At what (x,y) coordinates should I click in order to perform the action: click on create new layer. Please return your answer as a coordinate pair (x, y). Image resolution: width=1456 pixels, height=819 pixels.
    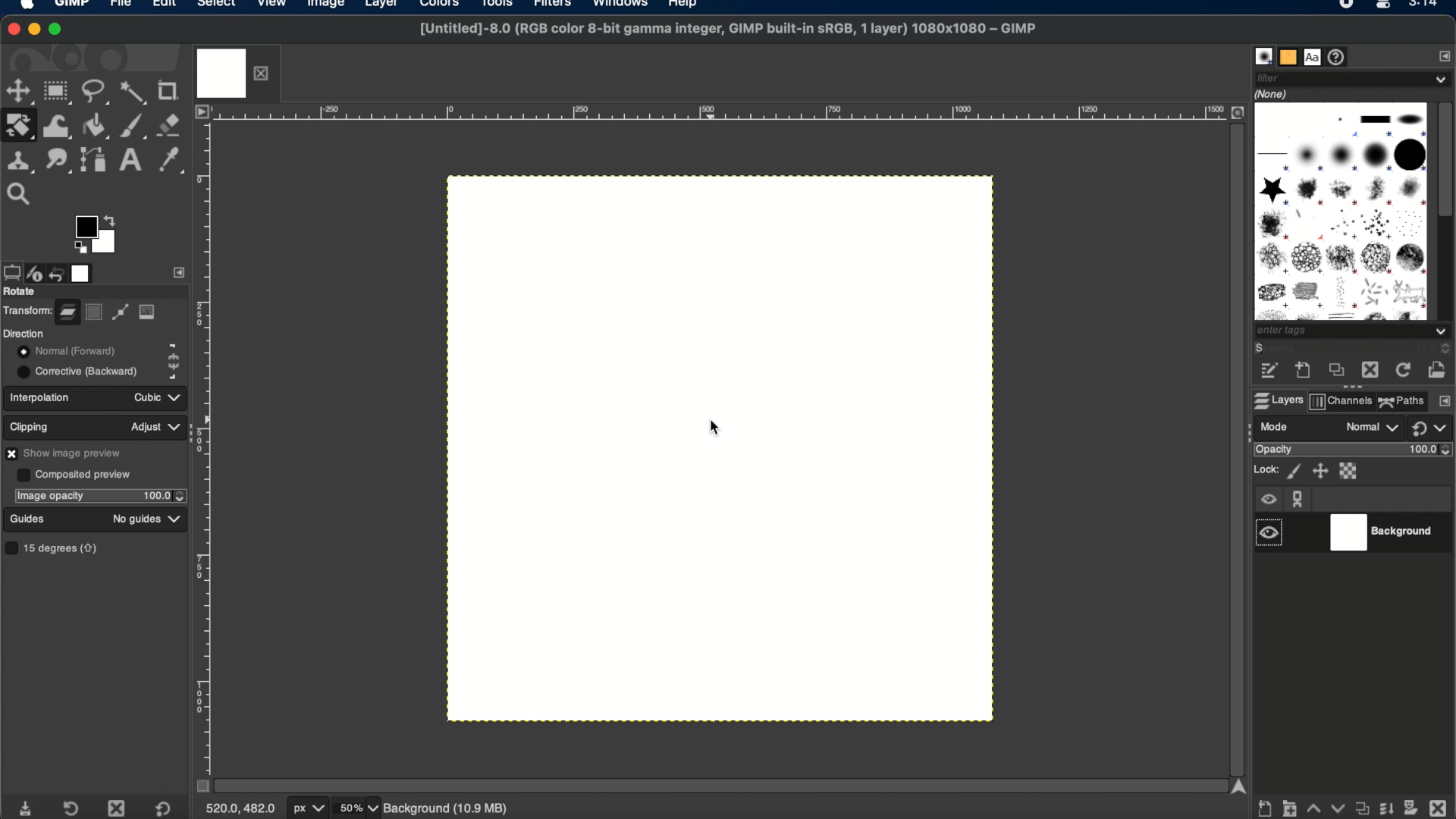
    Looking at the image, I should click on (1266, 809).